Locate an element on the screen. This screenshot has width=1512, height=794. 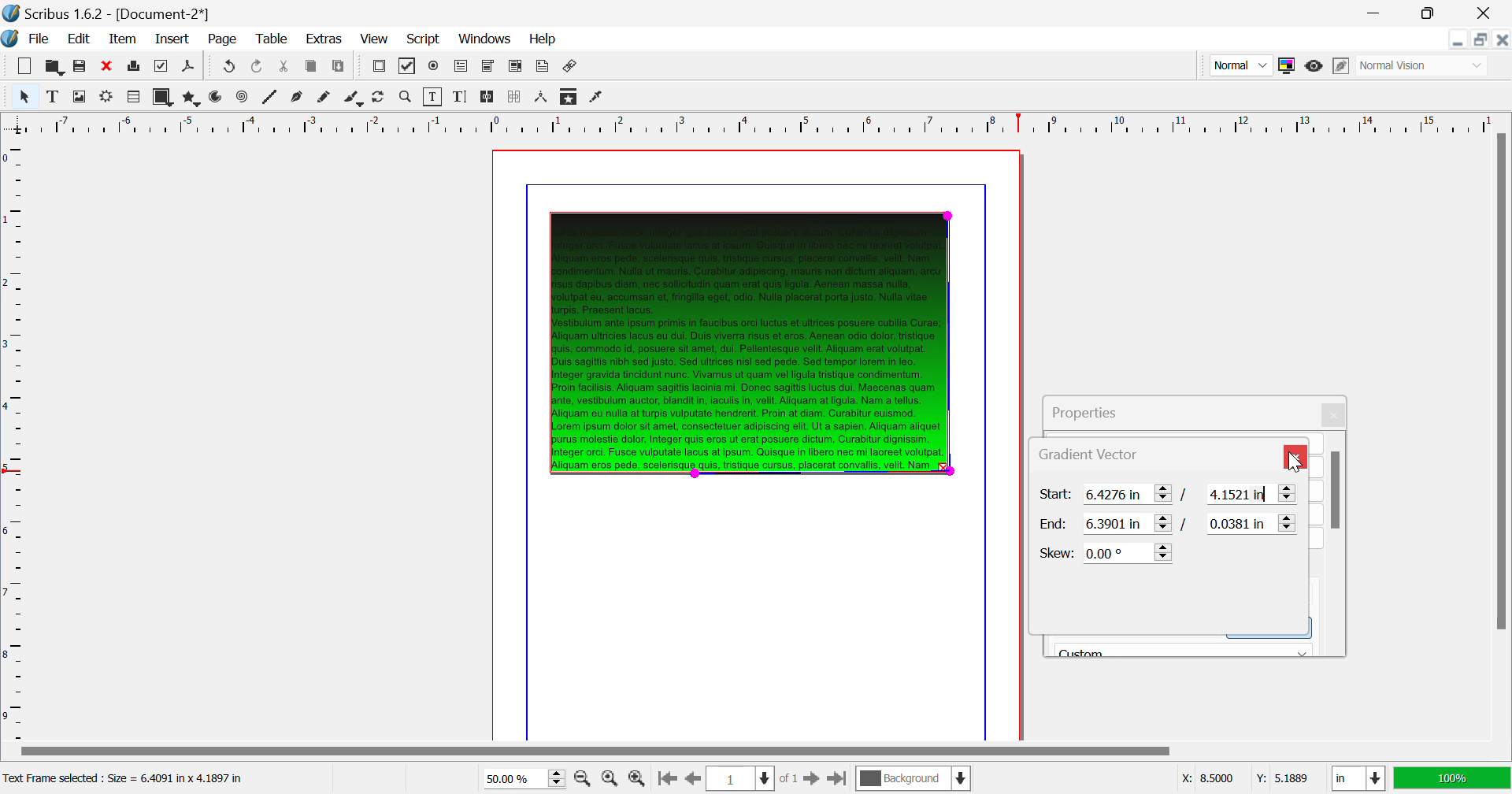
Preview Mode is located at coordinates (1240, 65).